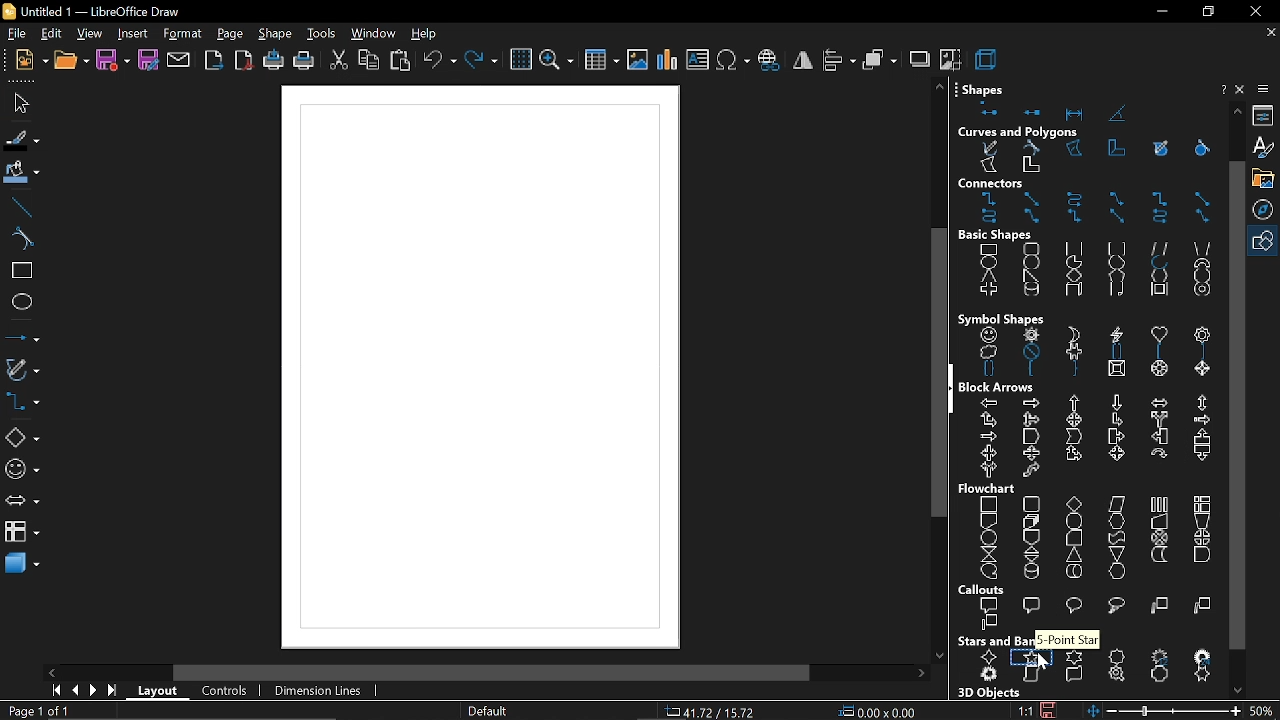 The width and height of the screenshot is (1280, 720). Describe the element at coordinates (183, 35) in the screenshot. I see `format` at that location.